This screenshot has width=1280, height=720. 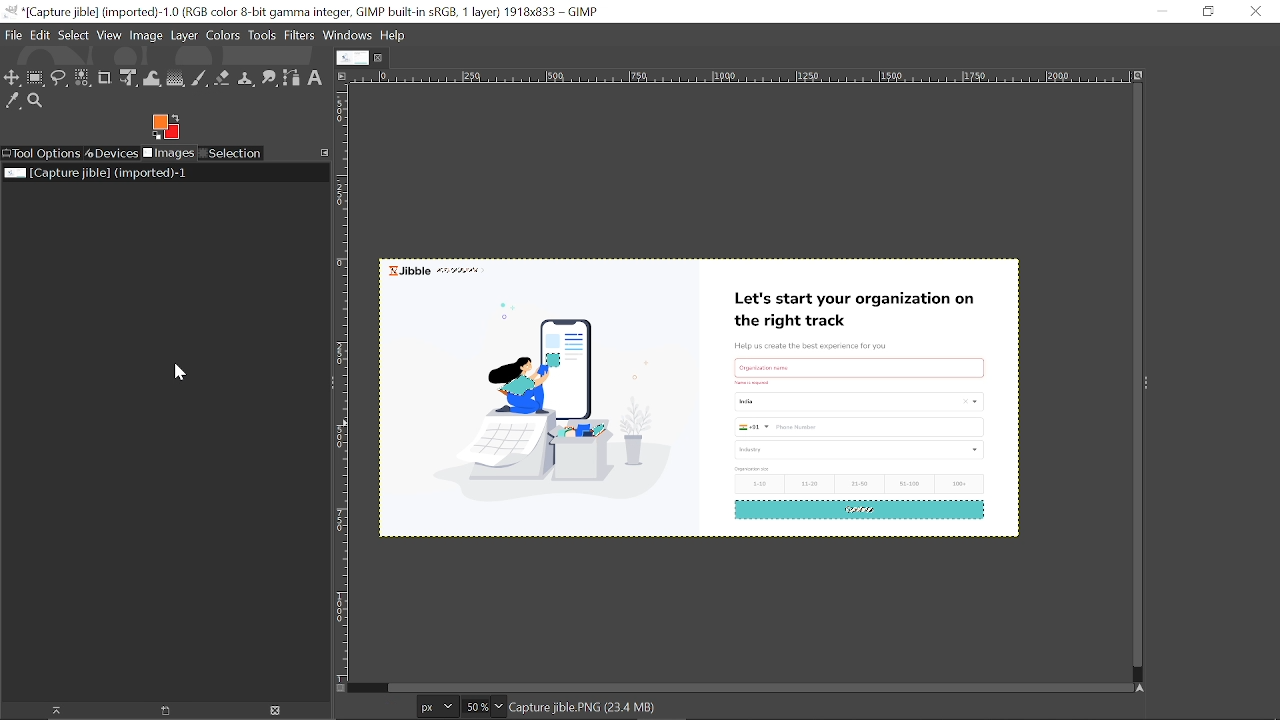 I want to click on image name, so click(x=628, y=708).